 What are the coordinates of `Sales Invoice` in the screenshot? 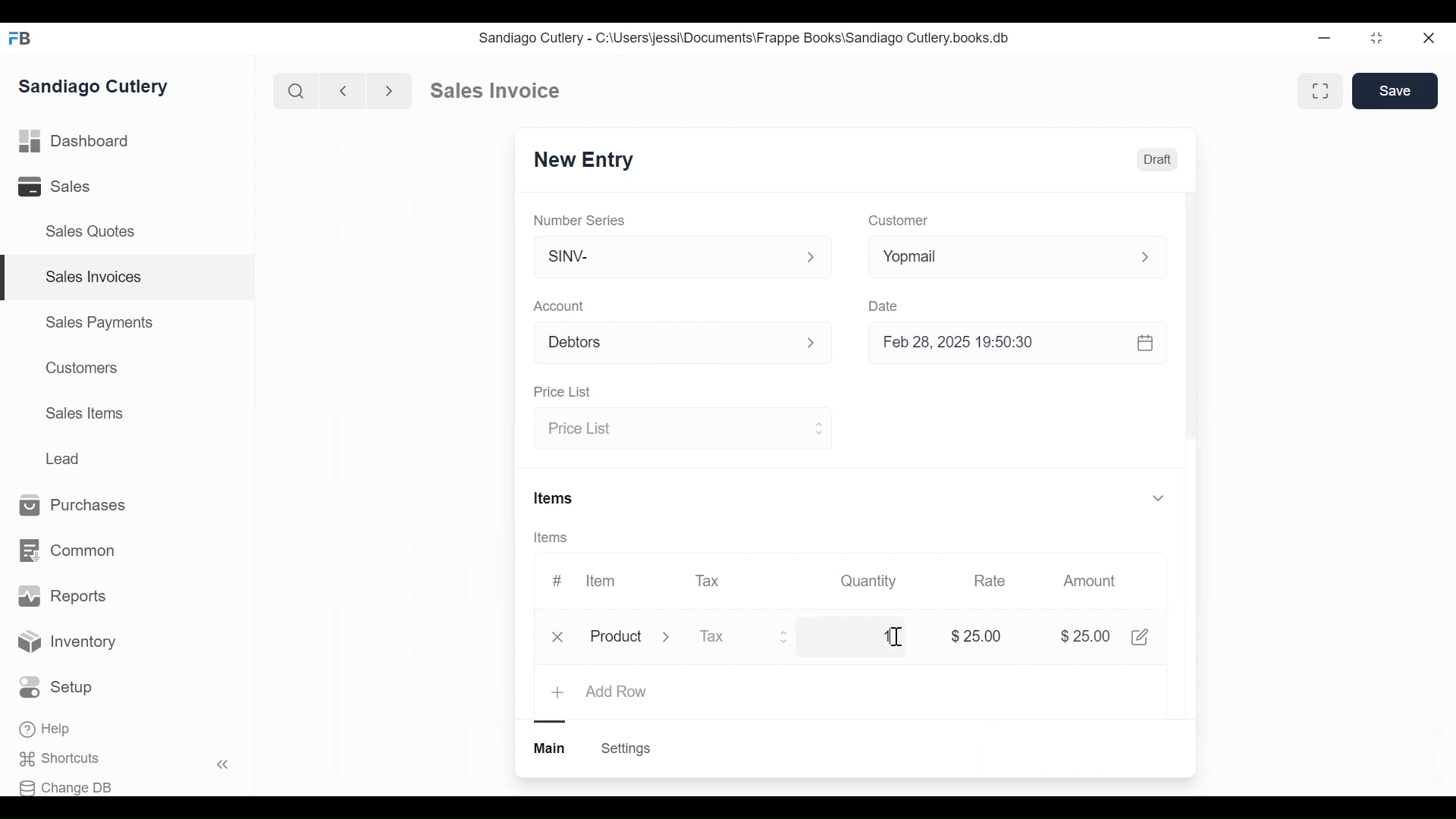 It's located at (494, 91).